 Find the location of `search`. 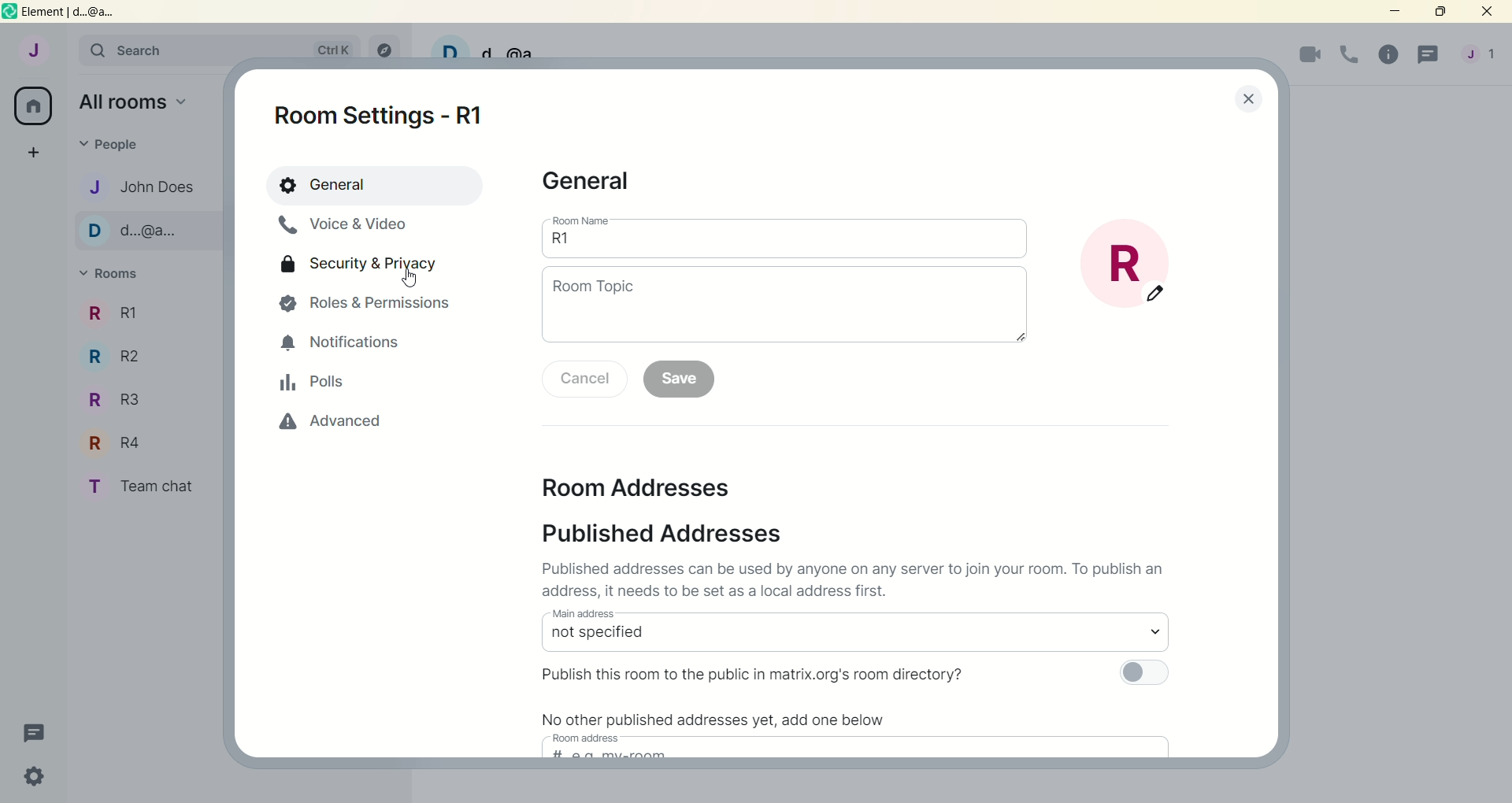

search is located at coordinates (219, 50).